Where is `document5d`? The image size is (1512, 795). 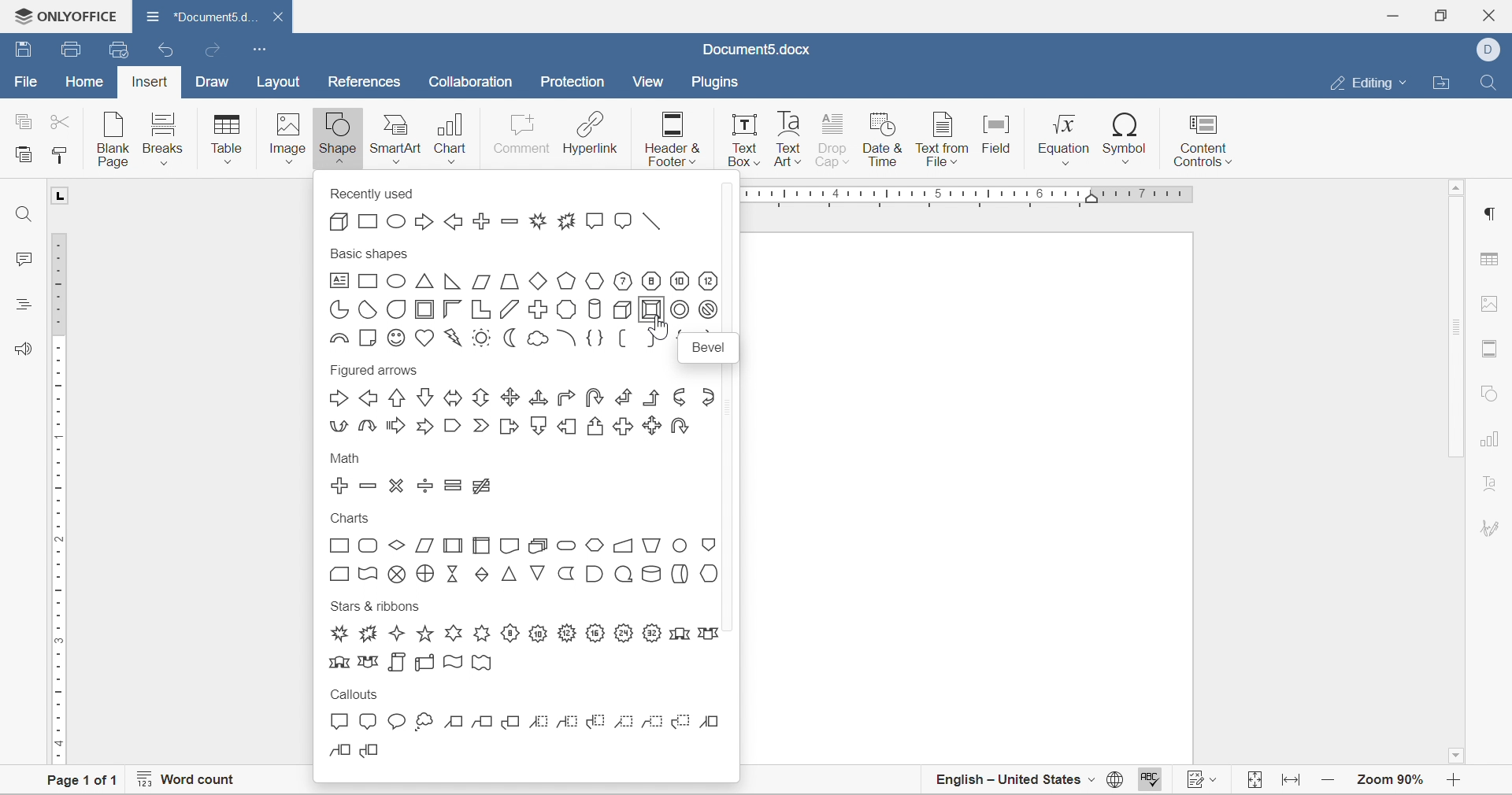 document5d is located at coordinates (205, 14).